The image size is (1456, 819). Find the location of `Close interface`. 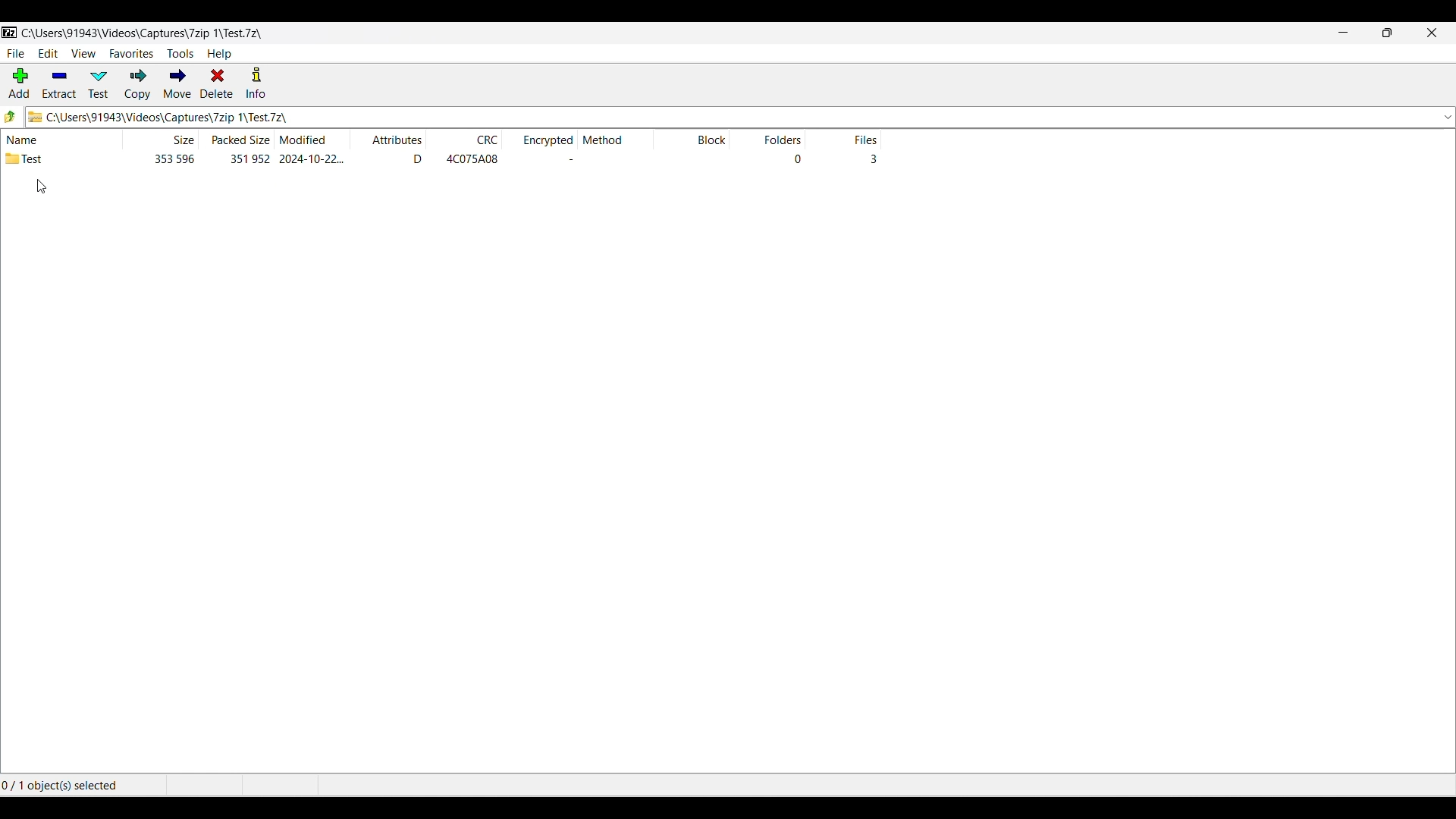

Close interface is located at coordinates (1432, 33).